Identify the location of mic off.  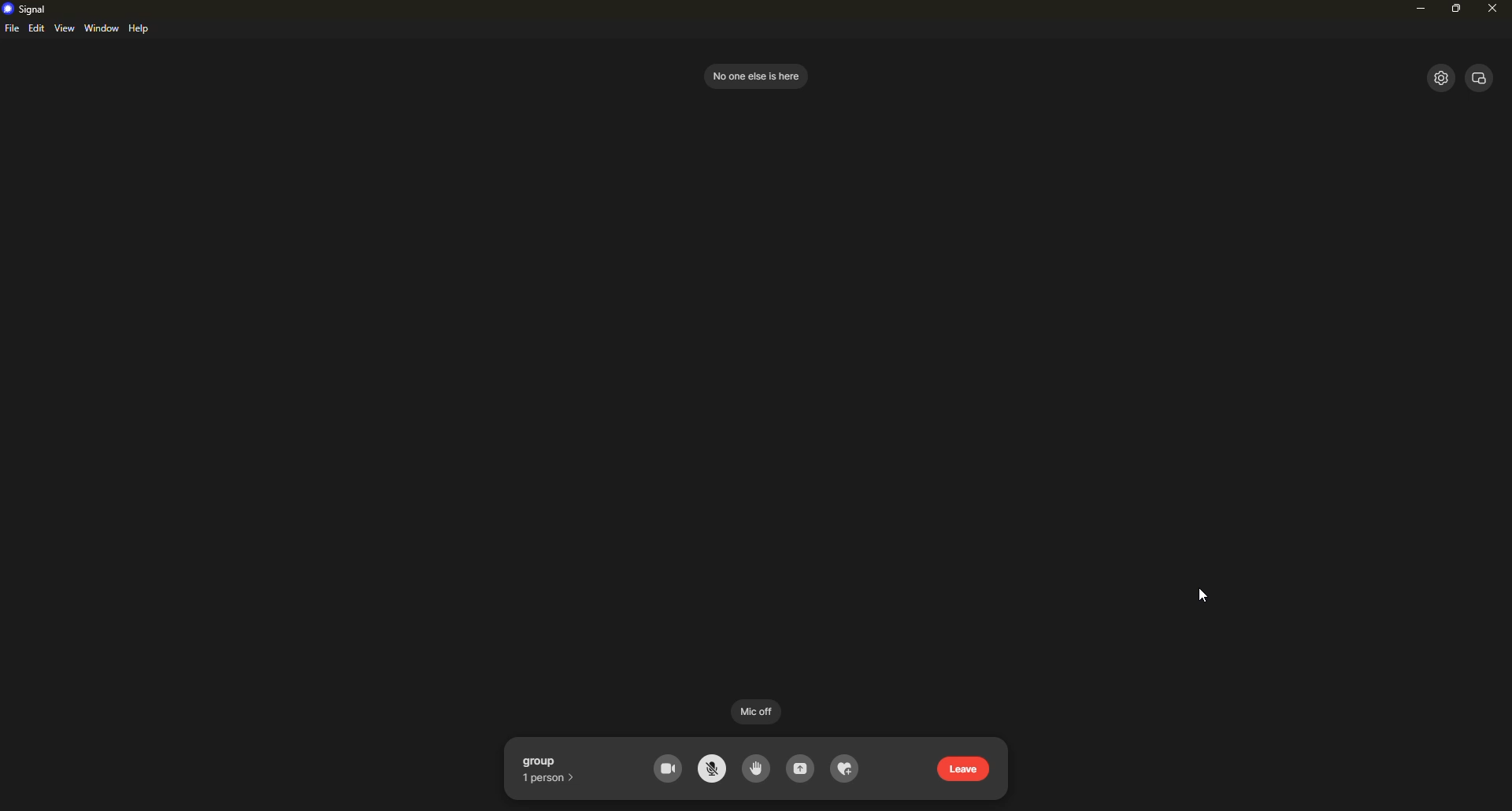
(757, 711).